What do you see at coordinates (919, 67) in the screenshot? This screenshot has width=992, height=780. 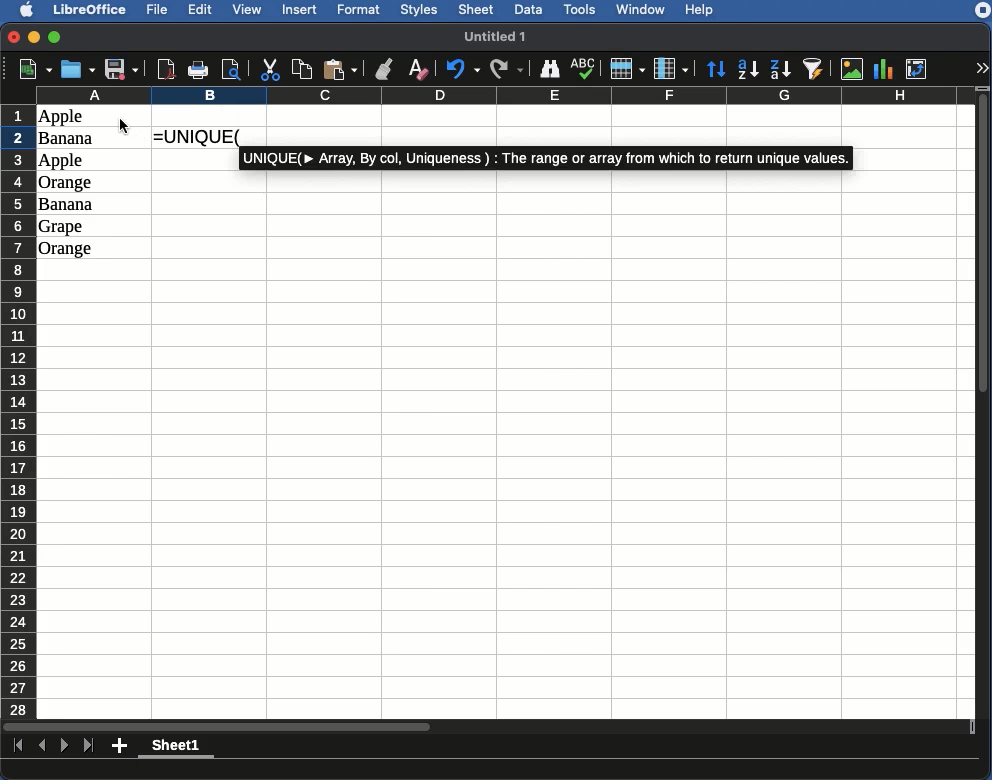 I see `Pivot table` at bounding box center [919, 67].